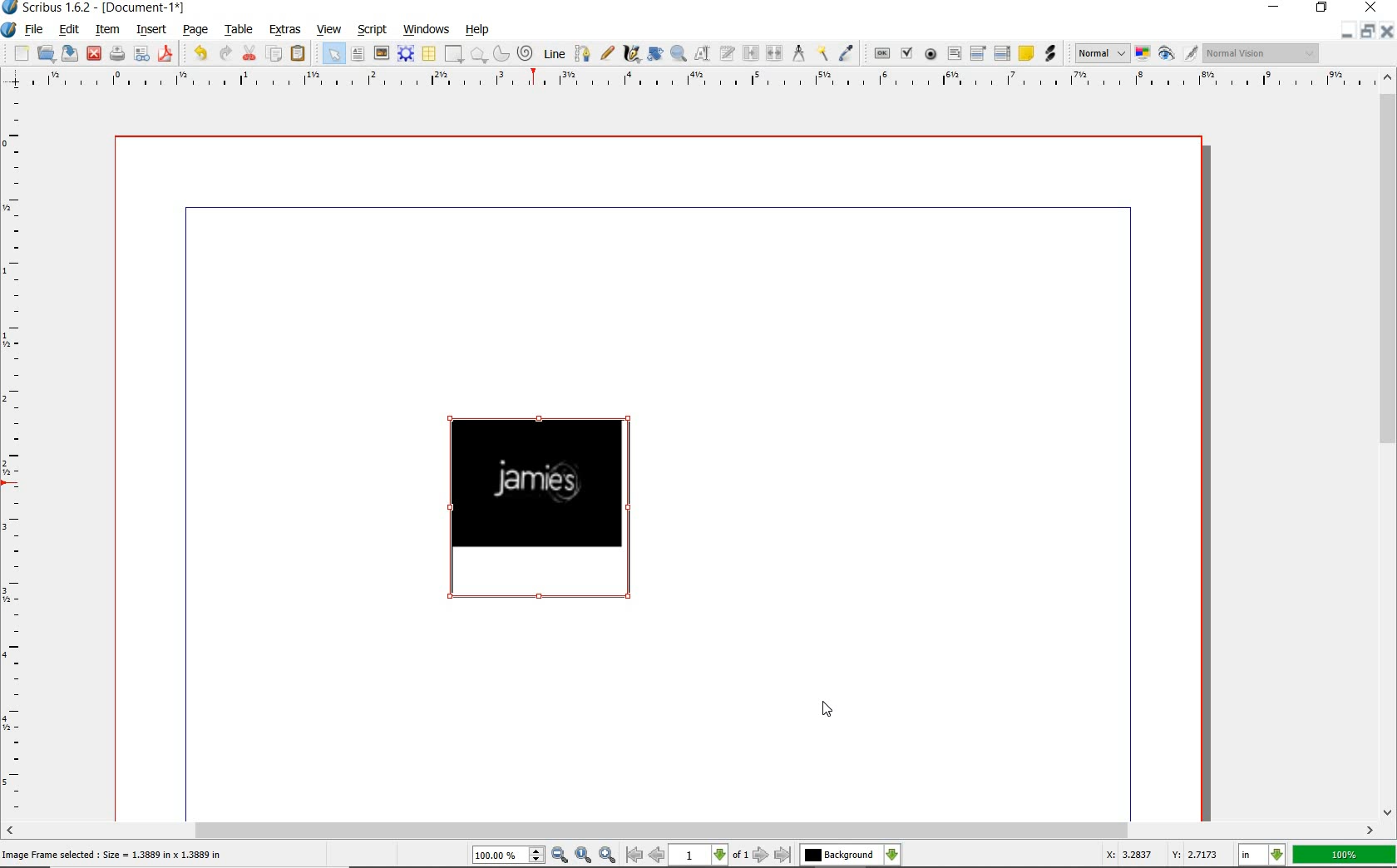  What do you see at coordinates (1101, 55) in the screenshot?
I see `select image preview mode` at bounding box center [1101, 55].